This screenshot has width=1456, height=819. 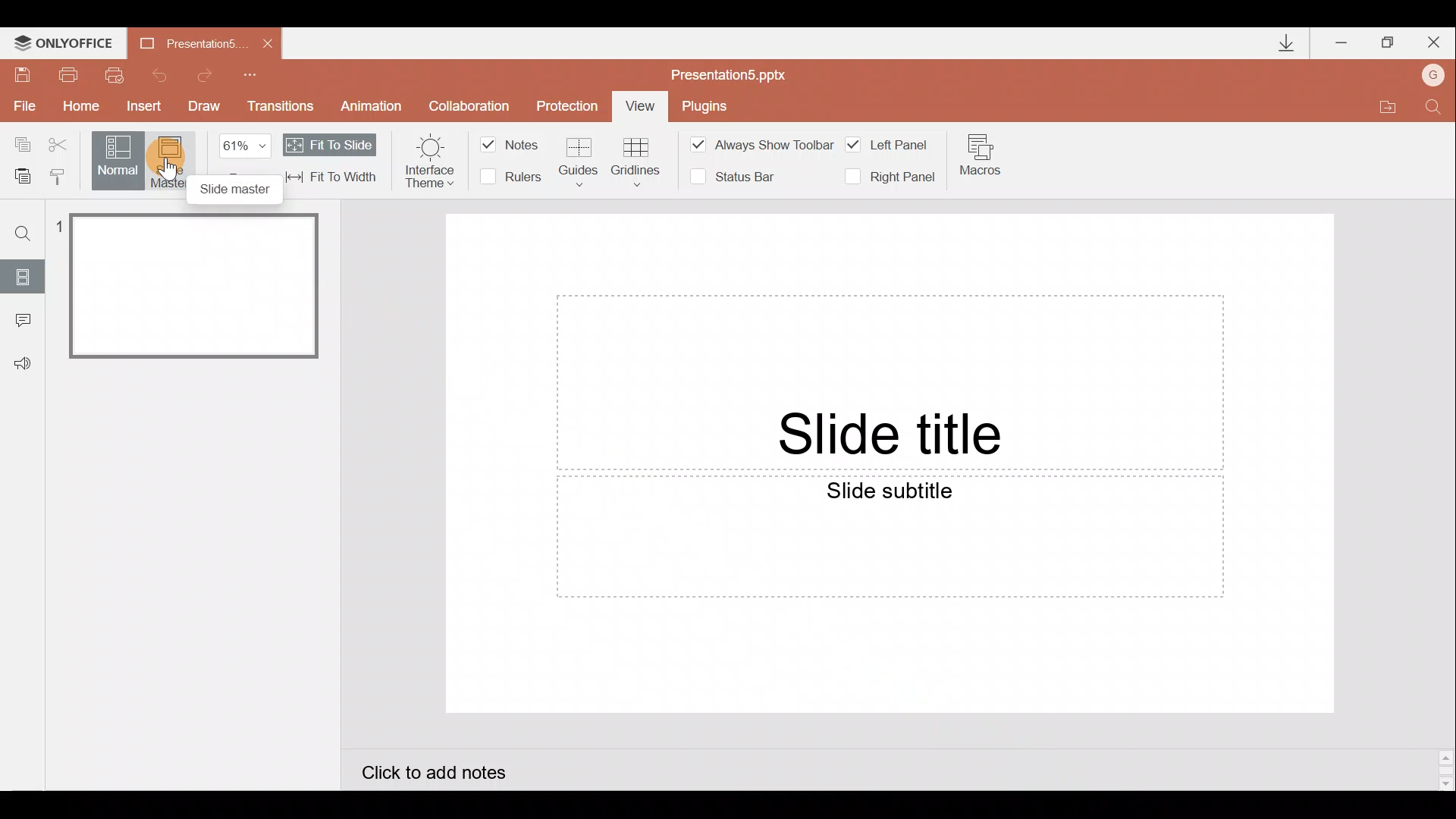 What do you see at coordinates (1436, 39) in the screenshot?
I see `Close` at bounding box center [1436, 39].